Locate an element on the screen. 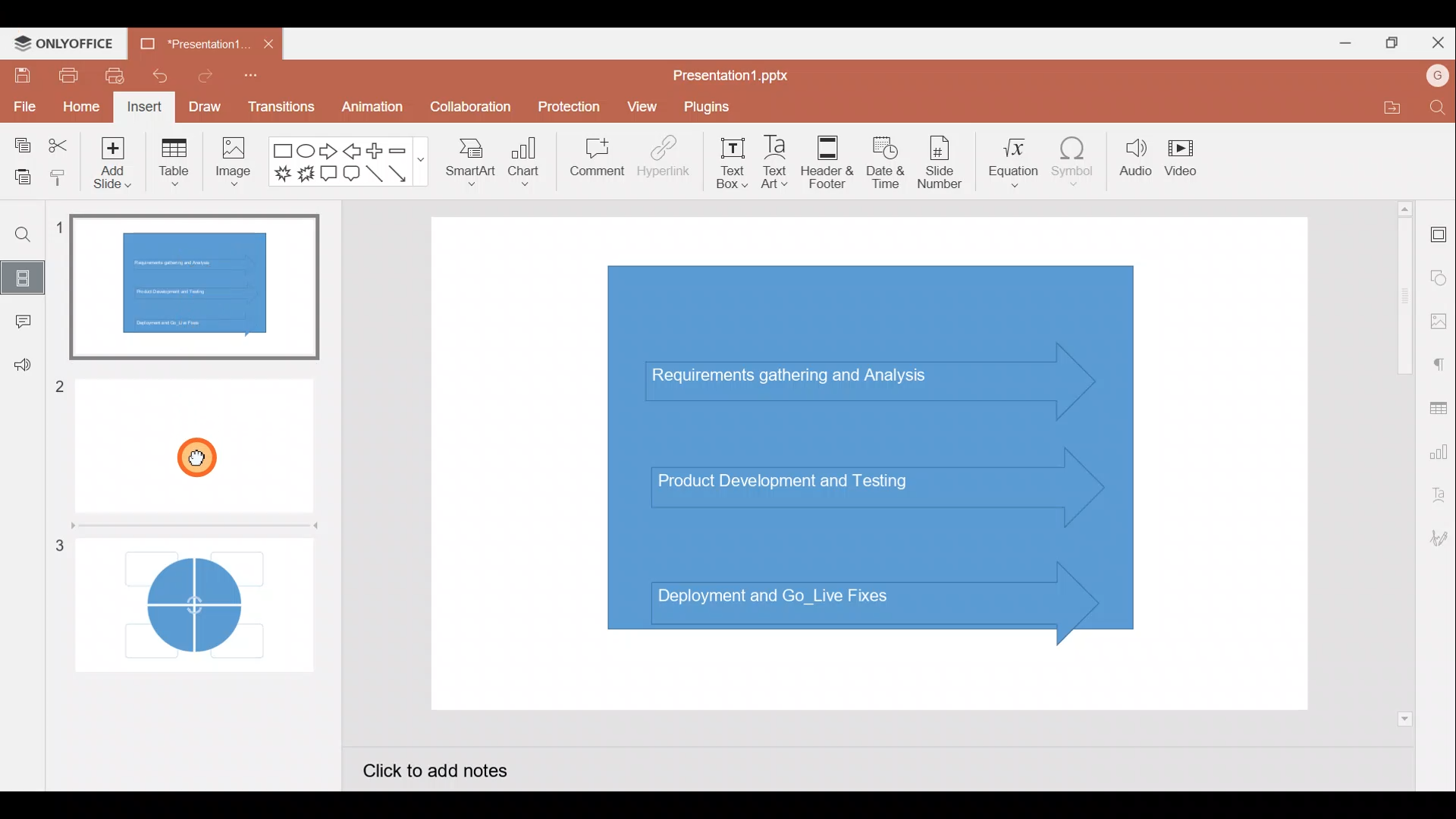 Image resolution: width=1456 pixels, height=819 pixels. Account name is located at coordinates (1432, 78).